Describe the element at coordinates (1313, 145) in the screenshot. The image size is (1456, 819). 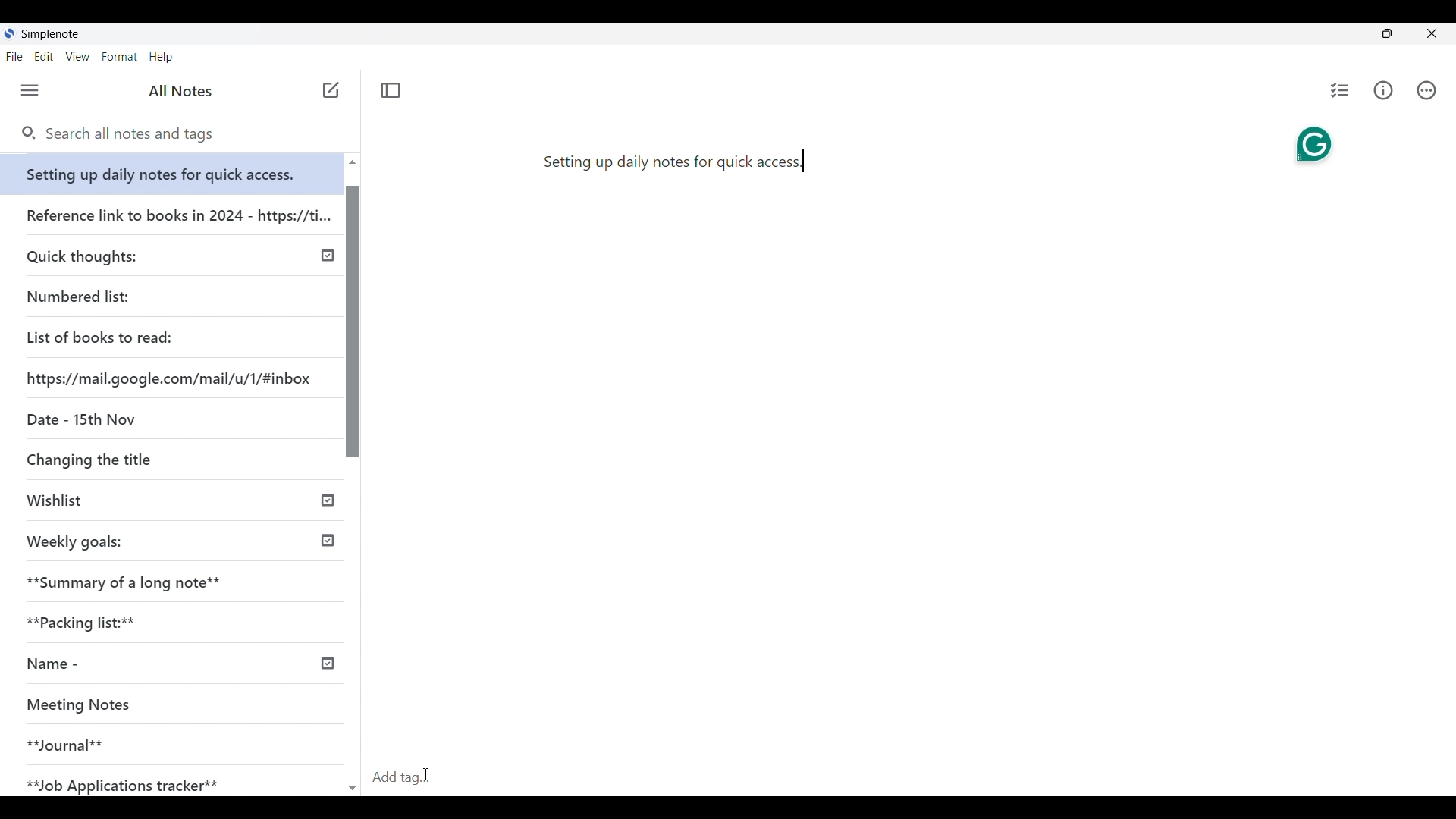
I see `Grammarly extension` at that location.